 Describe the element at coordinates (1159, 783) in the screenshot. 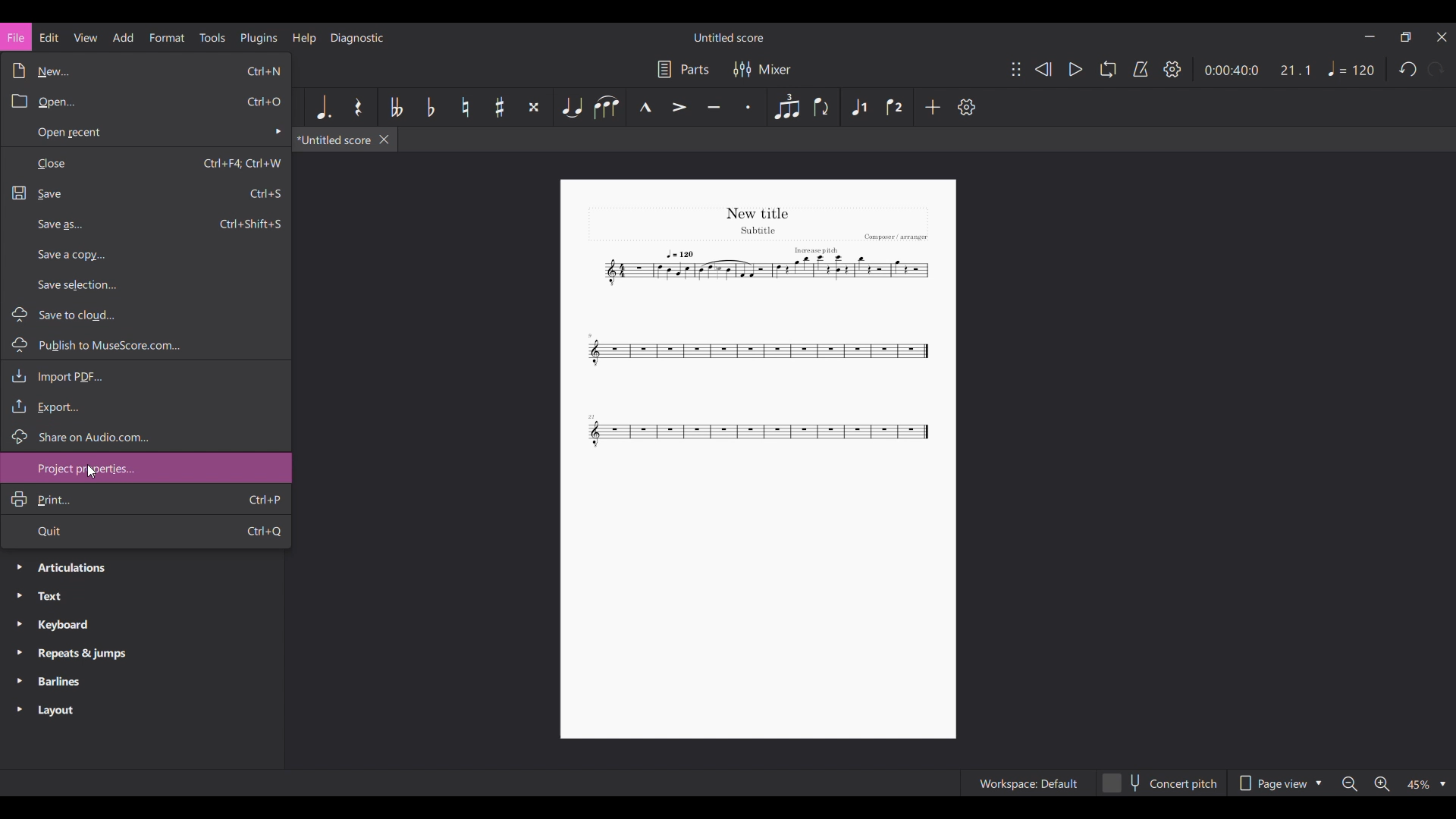

I see `Concert pitch toggle` at that location.